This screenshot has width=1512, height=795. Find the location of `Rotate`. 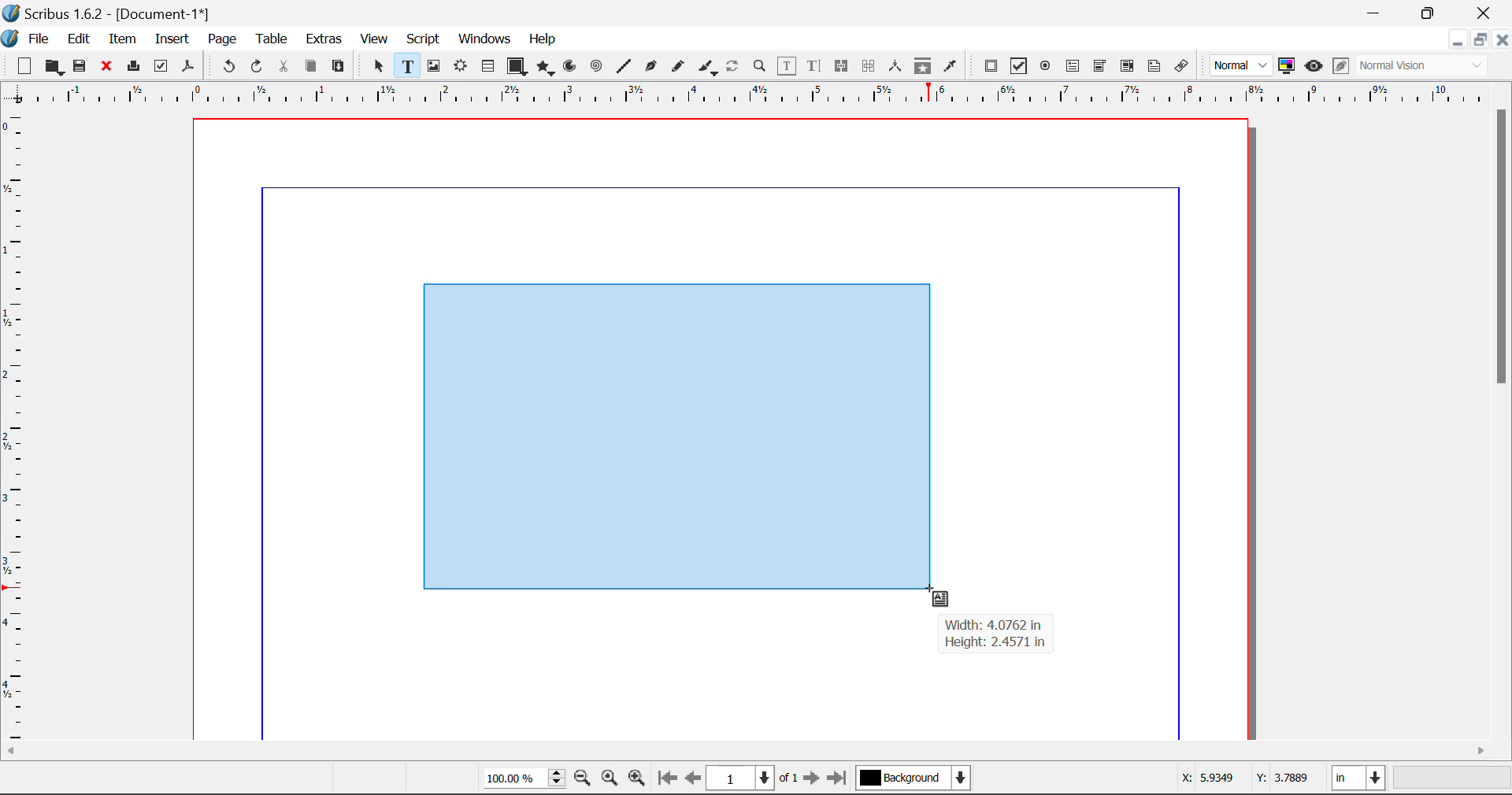

Rotate is located at coordinates (733, 65).